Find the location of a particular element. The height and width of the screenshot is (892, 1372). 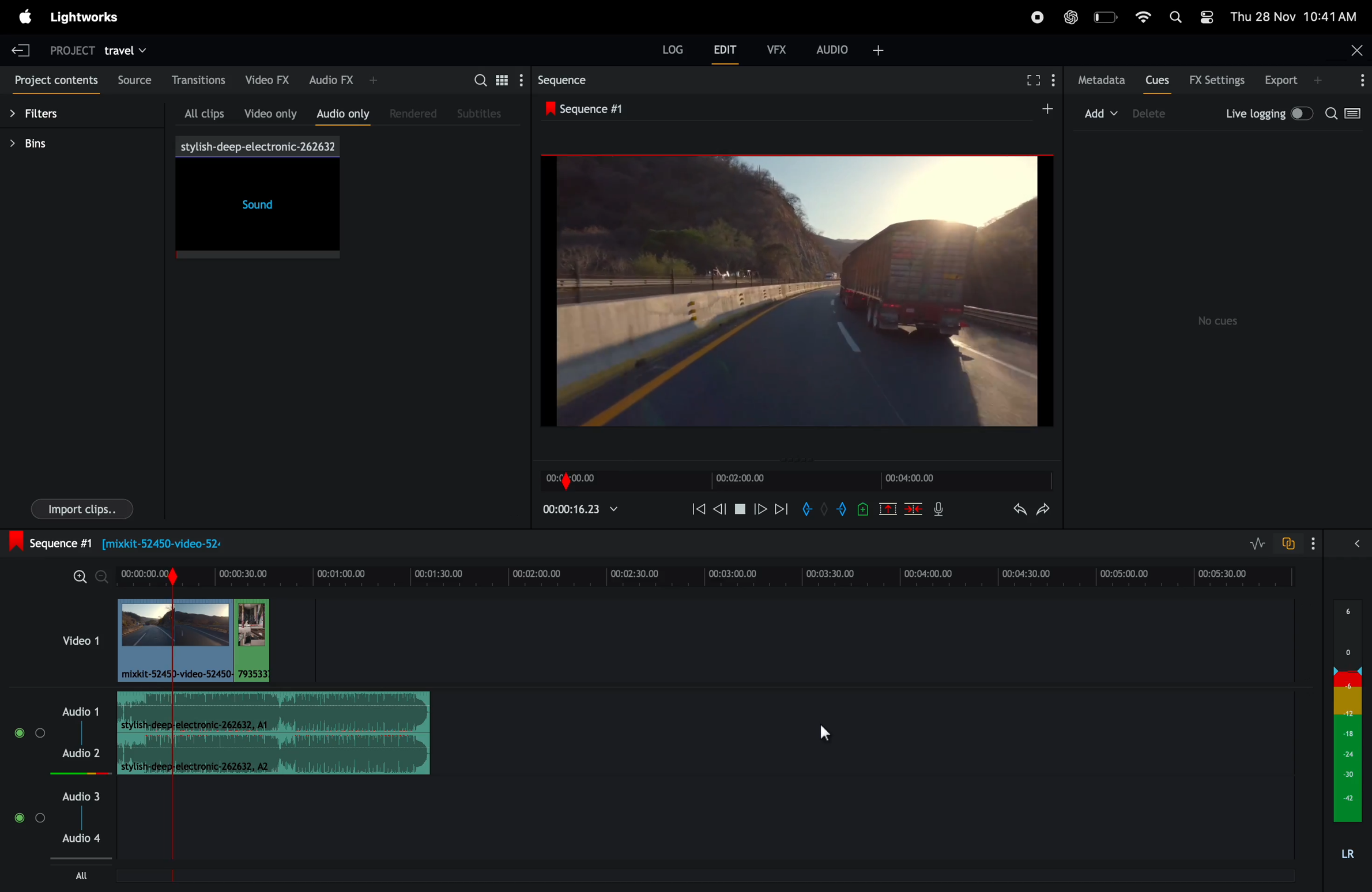

rewind is located at coordinates (696, 508).